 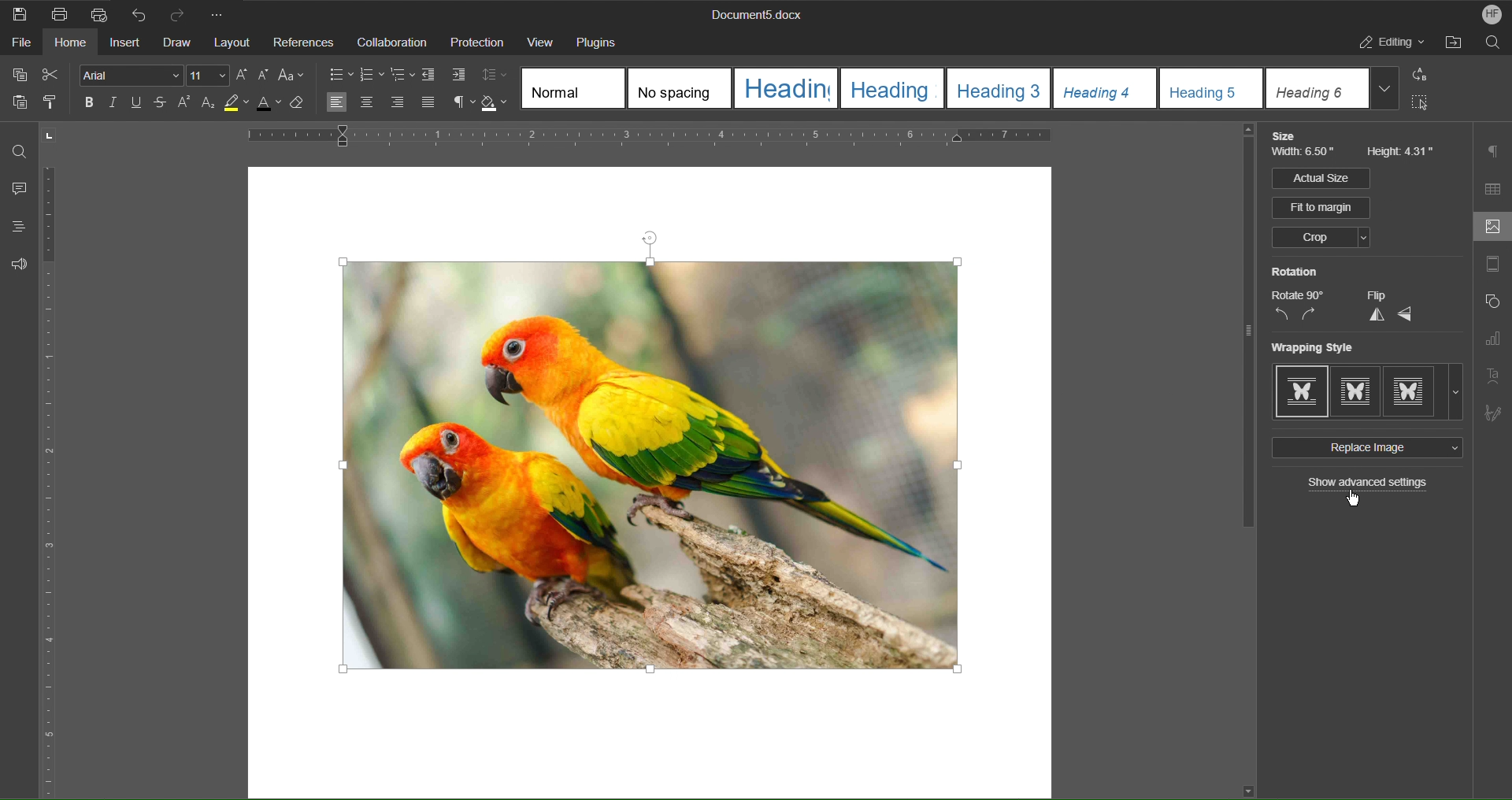 I want to click on Vertical Ruler, so click(x=51, y=483).